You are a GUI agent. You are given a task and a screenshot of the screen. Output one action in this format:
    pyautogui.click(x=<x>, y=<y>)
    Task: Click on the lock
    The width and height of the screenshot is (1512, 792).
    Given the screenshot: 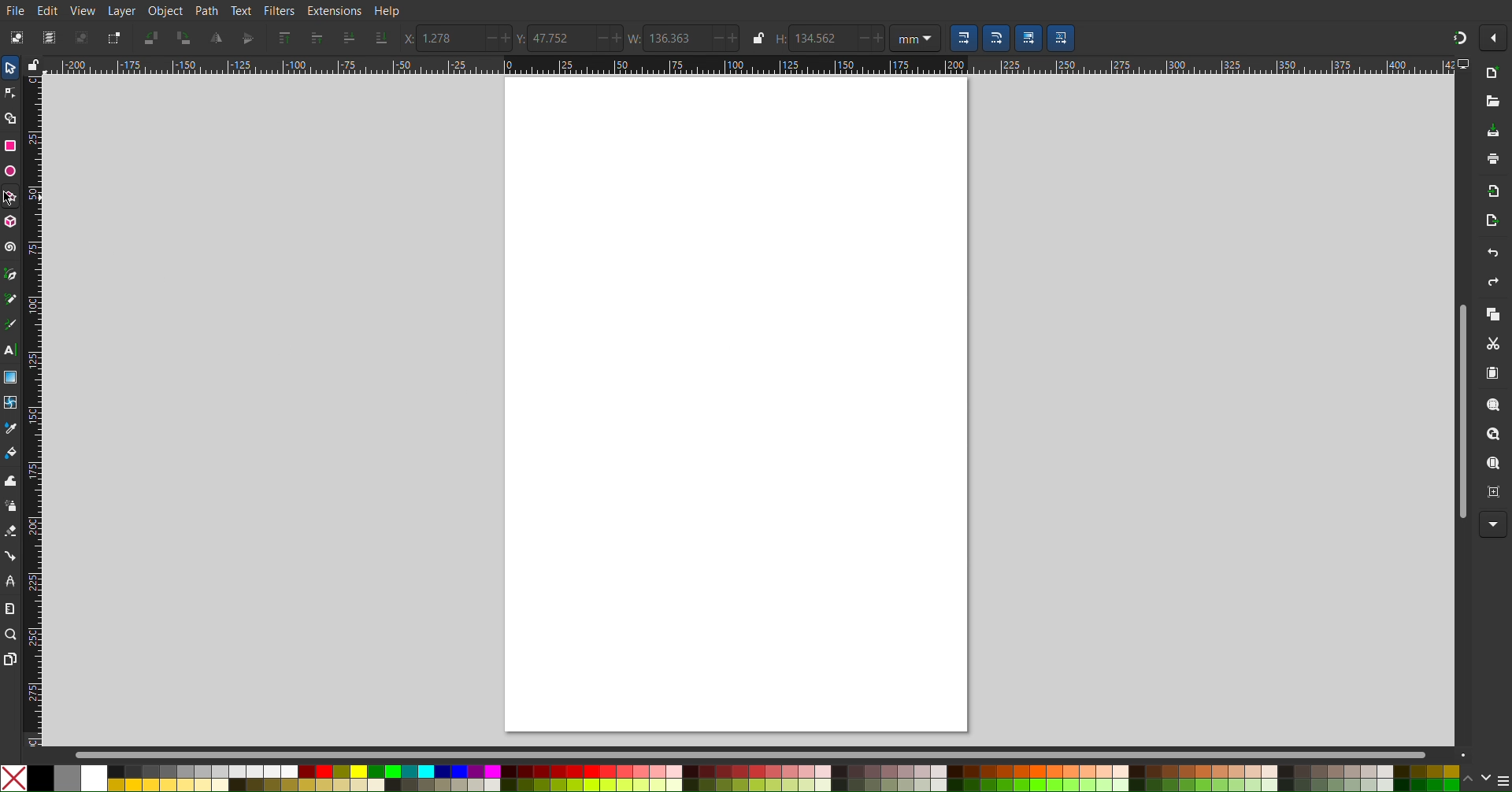 What is the action you would take?
    pyautogui.click(x=31, y=64)
    